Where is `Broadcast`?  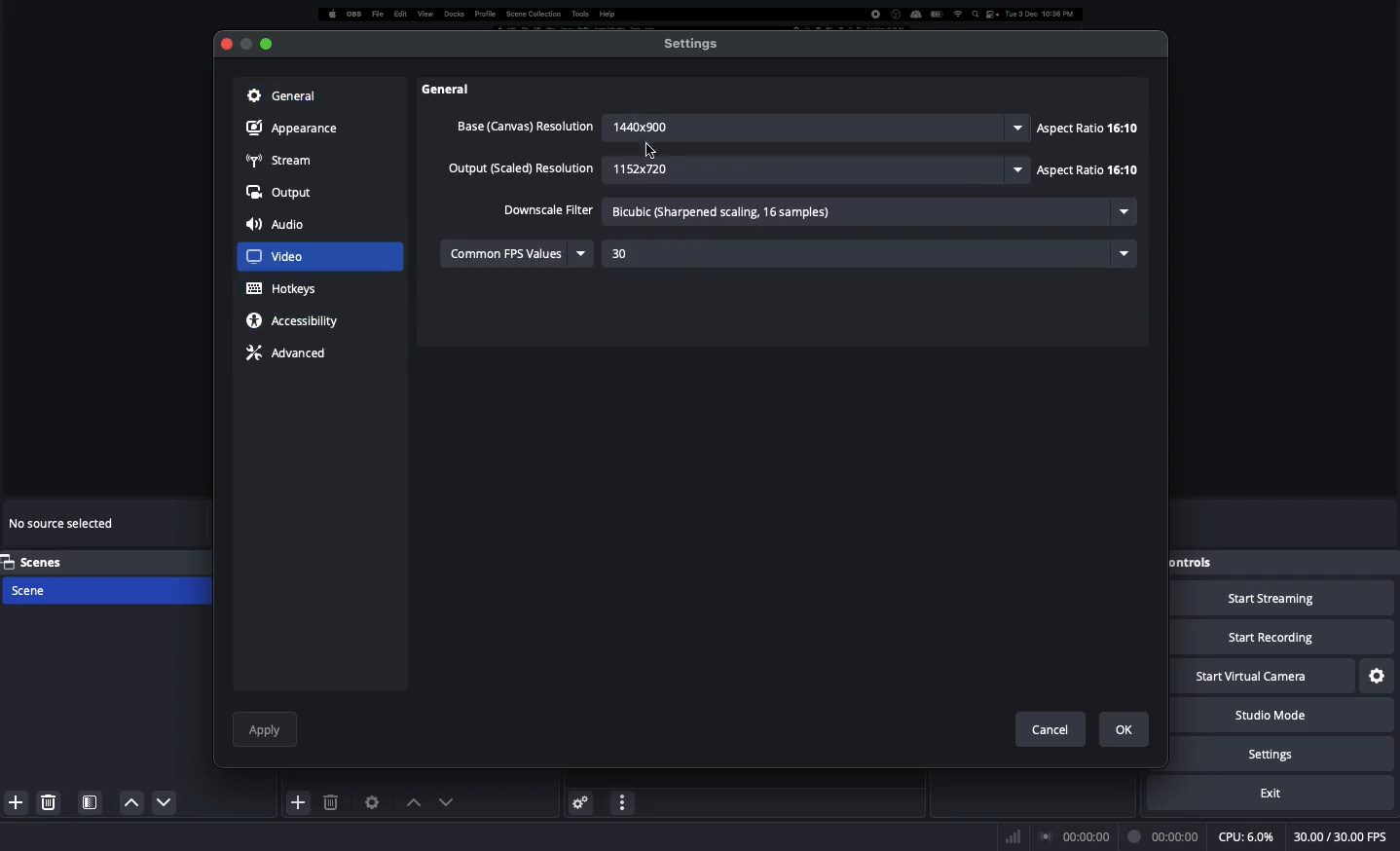
Broadcast is located at coordinates (1076, 836).